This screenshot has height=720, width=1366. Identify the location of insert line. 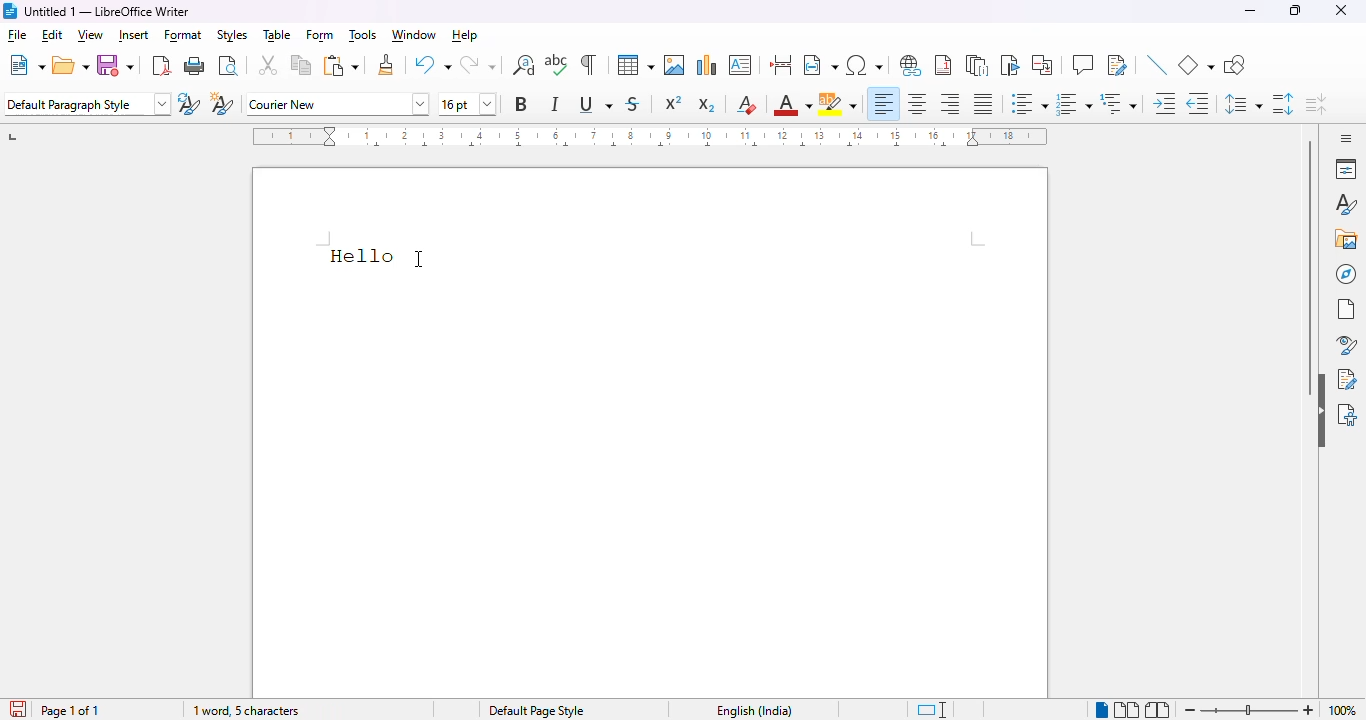
(1156, 64).